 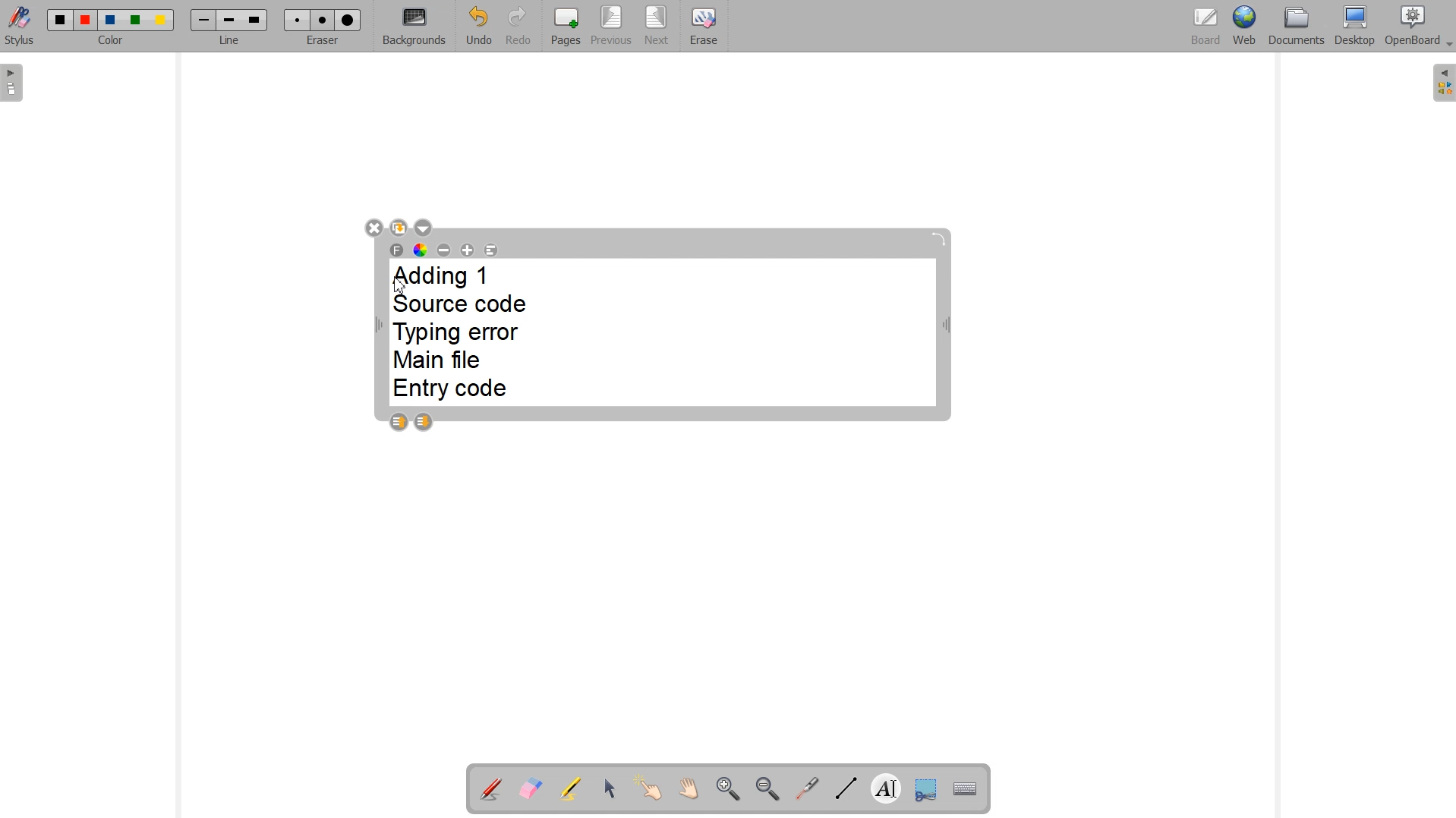 I want to click on Layer down, so click(x=424, y=422).